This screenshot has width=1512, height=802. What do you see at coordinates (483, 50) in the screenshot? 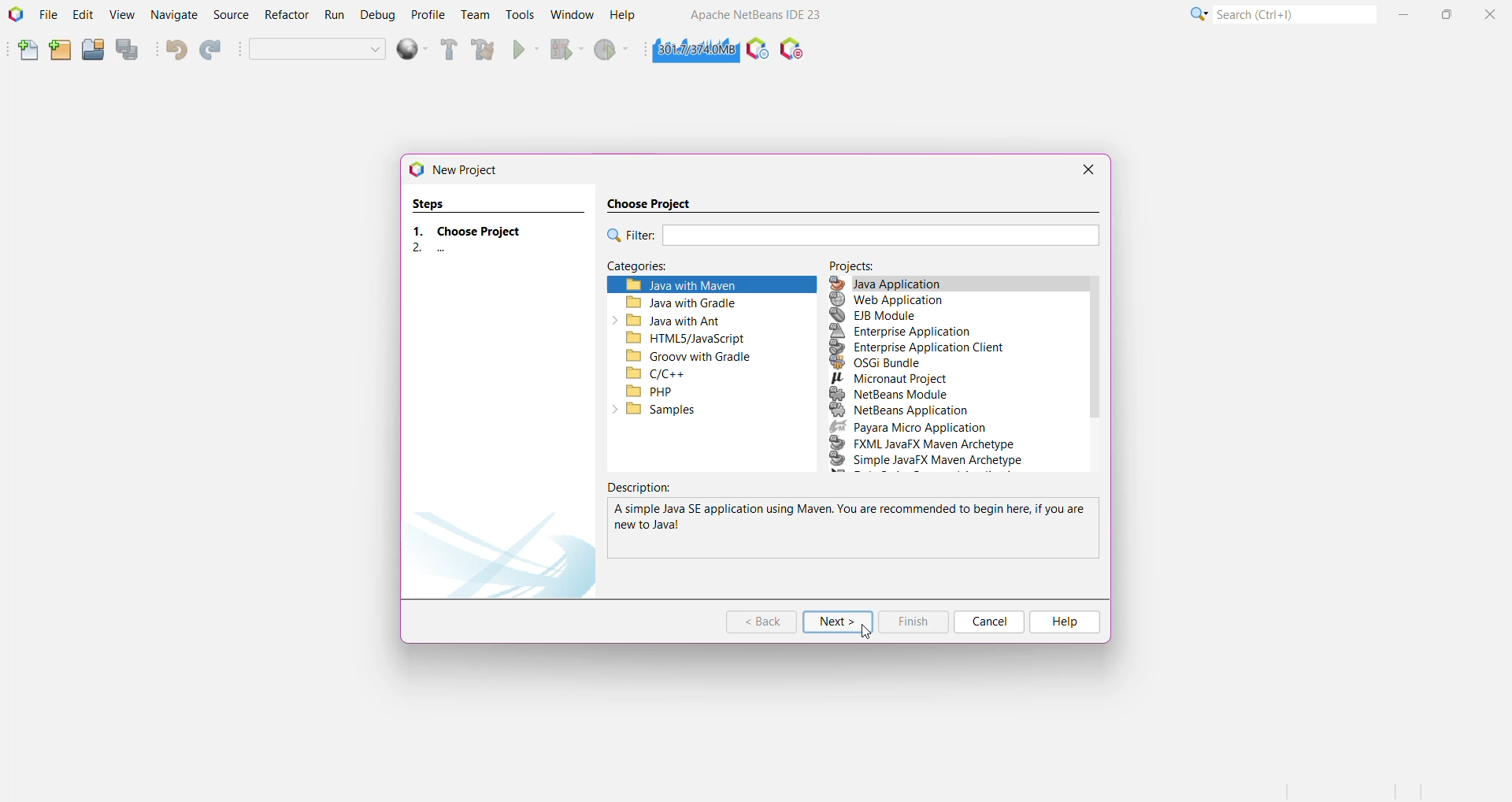
I see `Clean and Build Project` at bounding box center [483, 50].